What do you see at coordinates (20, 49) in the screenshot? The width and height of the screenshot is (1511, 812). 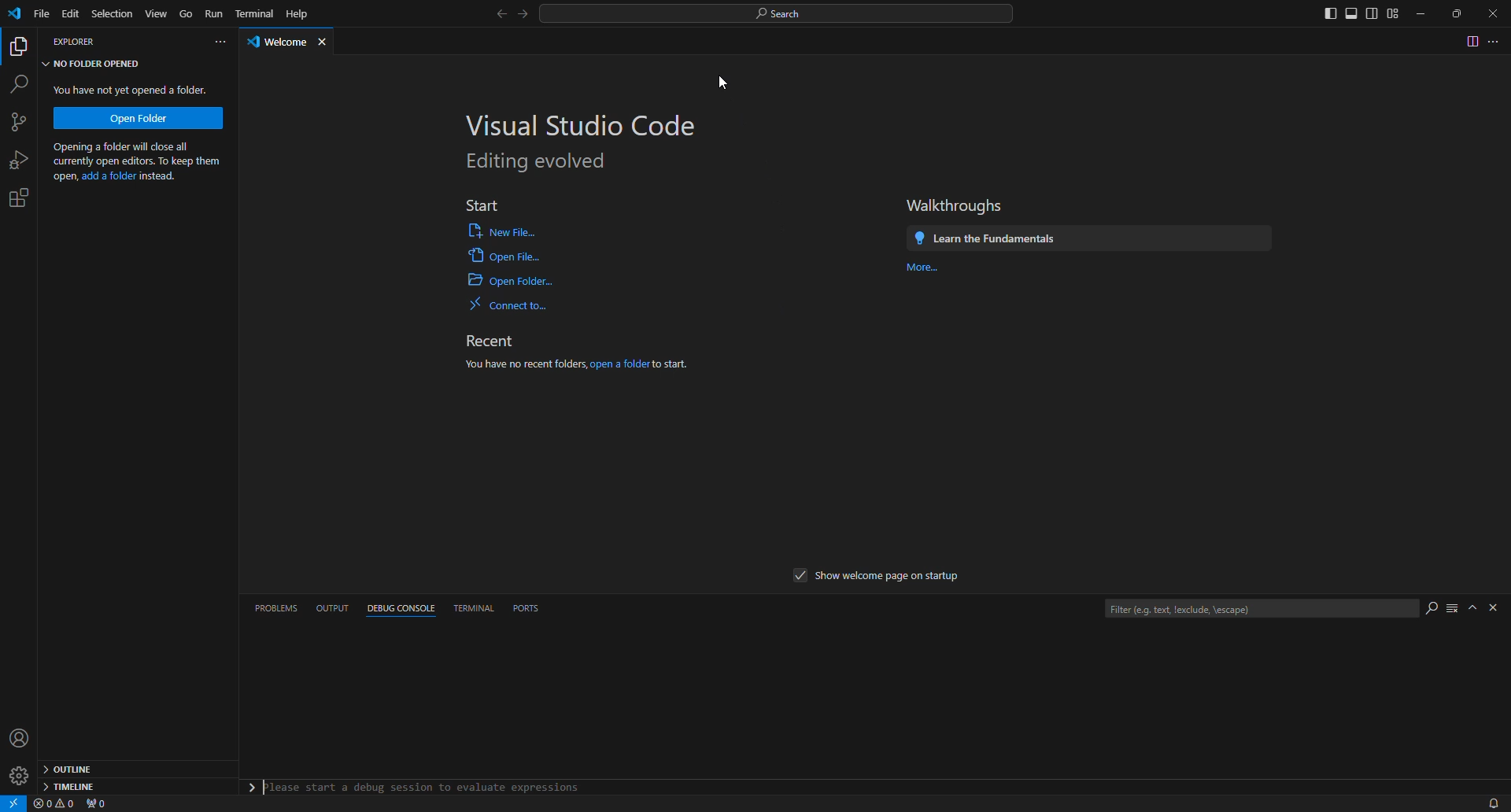 I see `copy` at bounding box center [20, 49].